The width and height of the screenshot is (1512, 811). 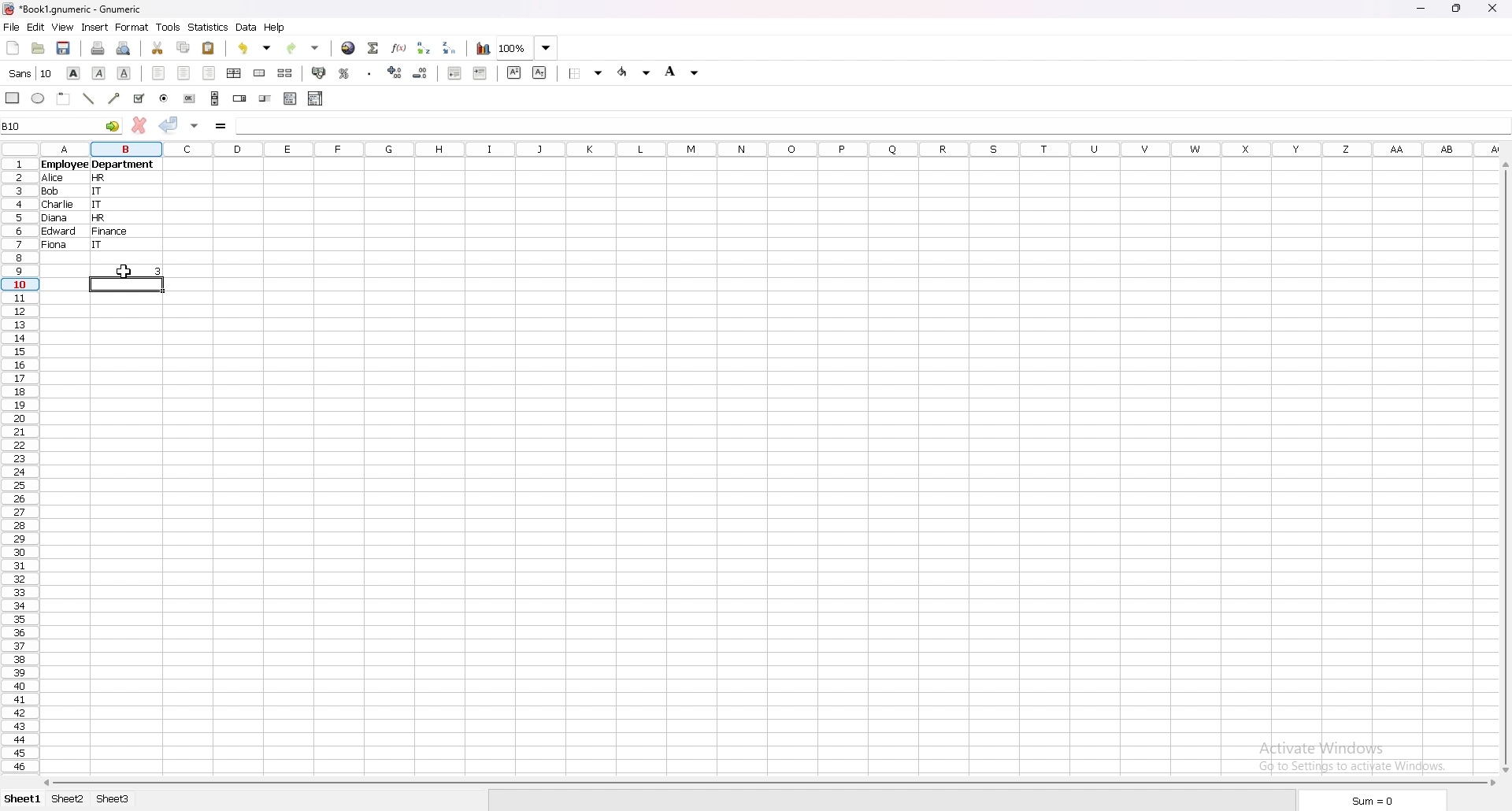 What do you see at coordinates (124, 72) in the screenshot?
I see `underline` at bounding box center [124, 72].